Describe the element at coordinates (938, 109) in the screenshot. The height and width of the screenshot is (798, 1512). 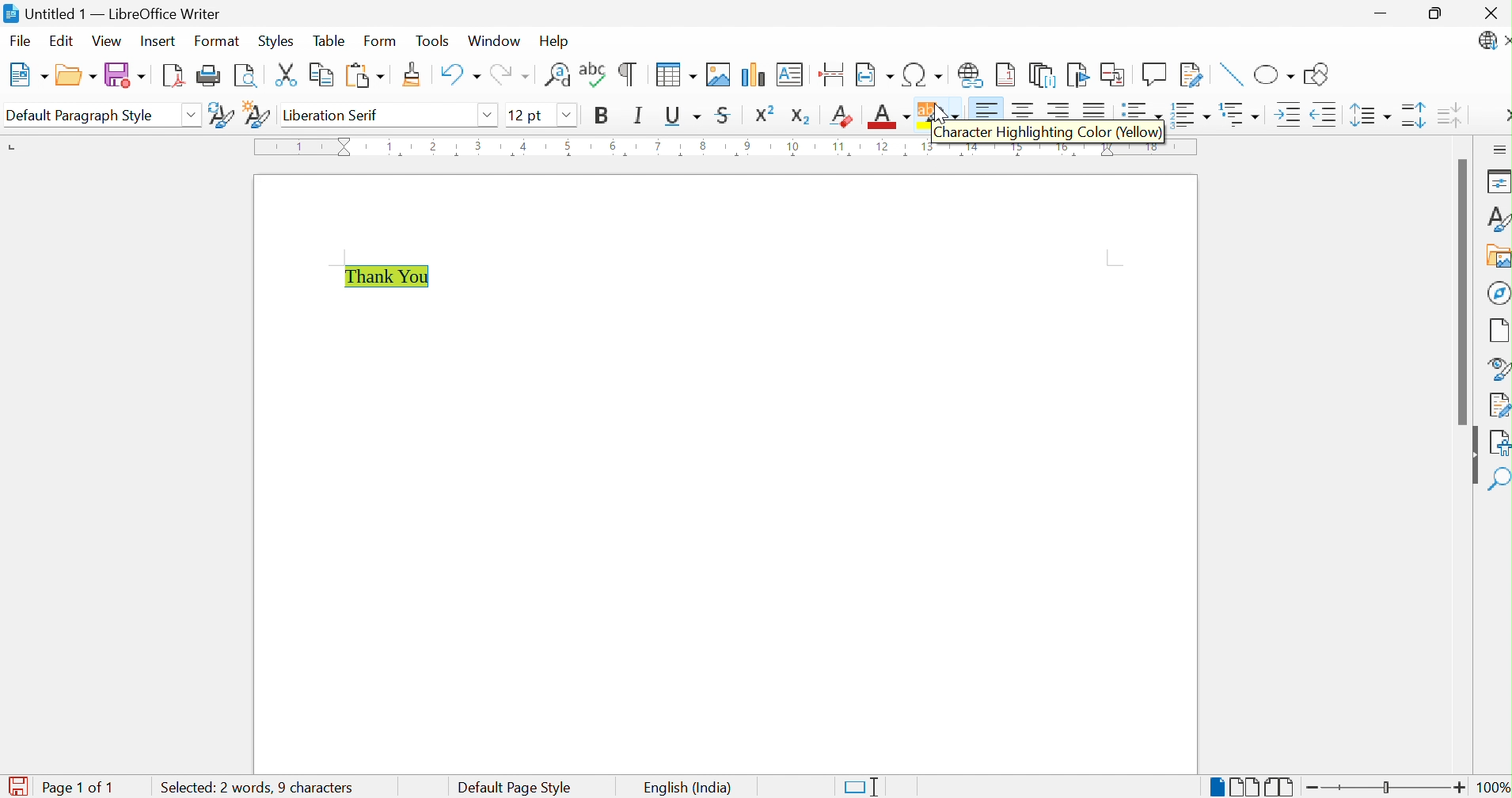
I see `Character Highlighting Color` at that location.